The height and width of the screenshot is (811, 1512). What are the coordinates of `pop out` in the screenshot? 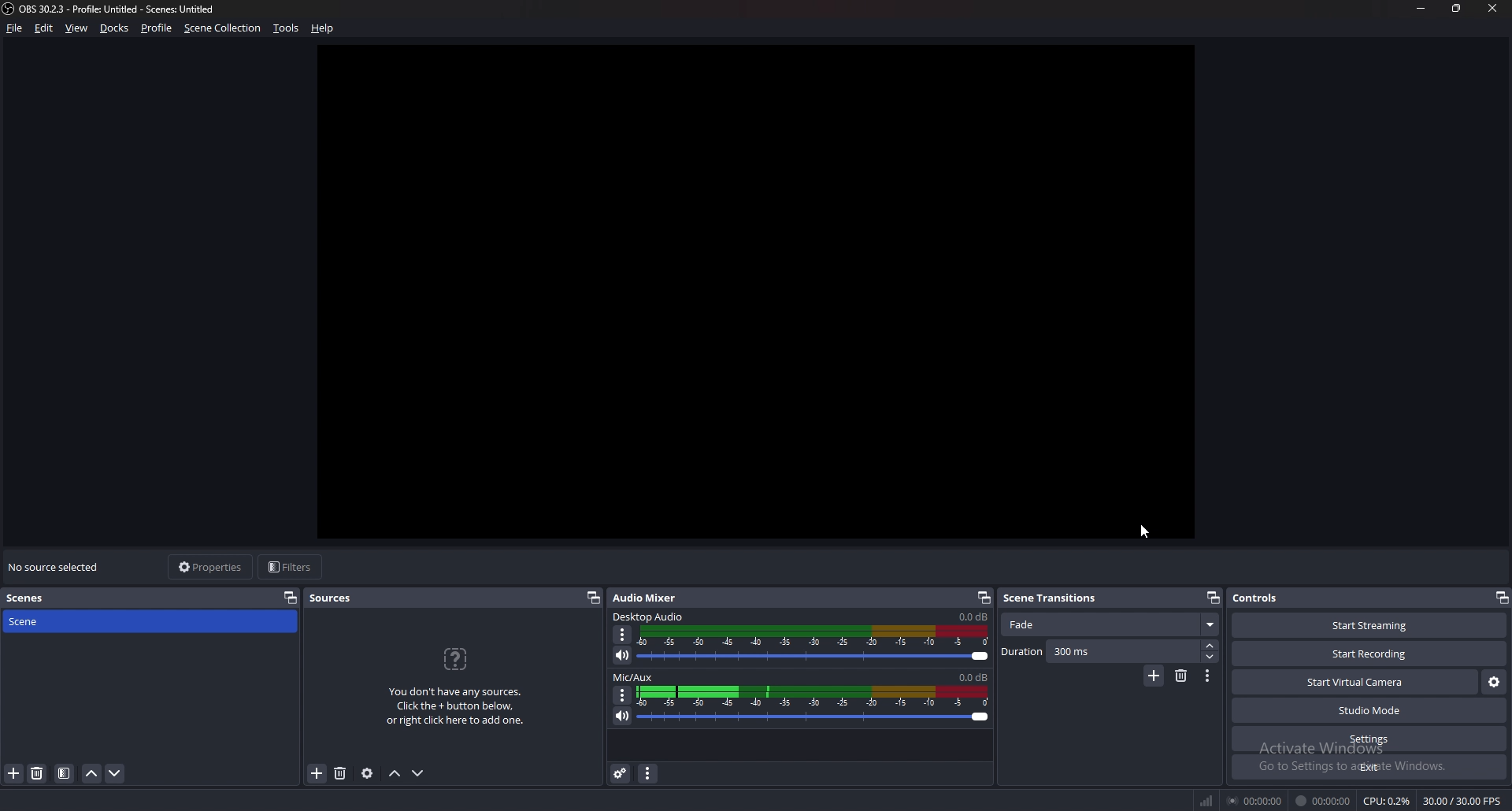 It's located at (1212, 598).